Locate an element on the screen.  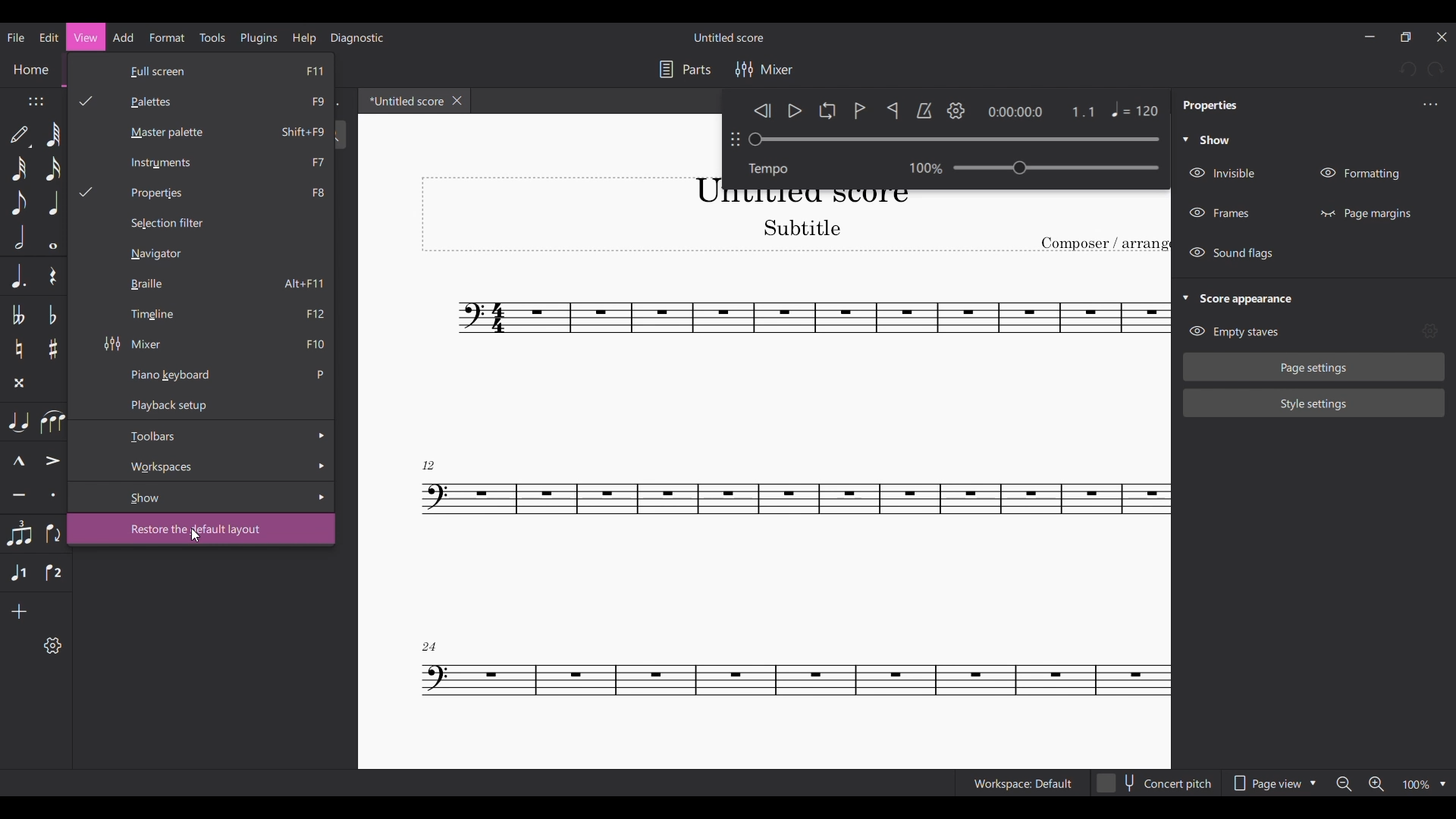
Style settings is located at coordinates (1314, 403).